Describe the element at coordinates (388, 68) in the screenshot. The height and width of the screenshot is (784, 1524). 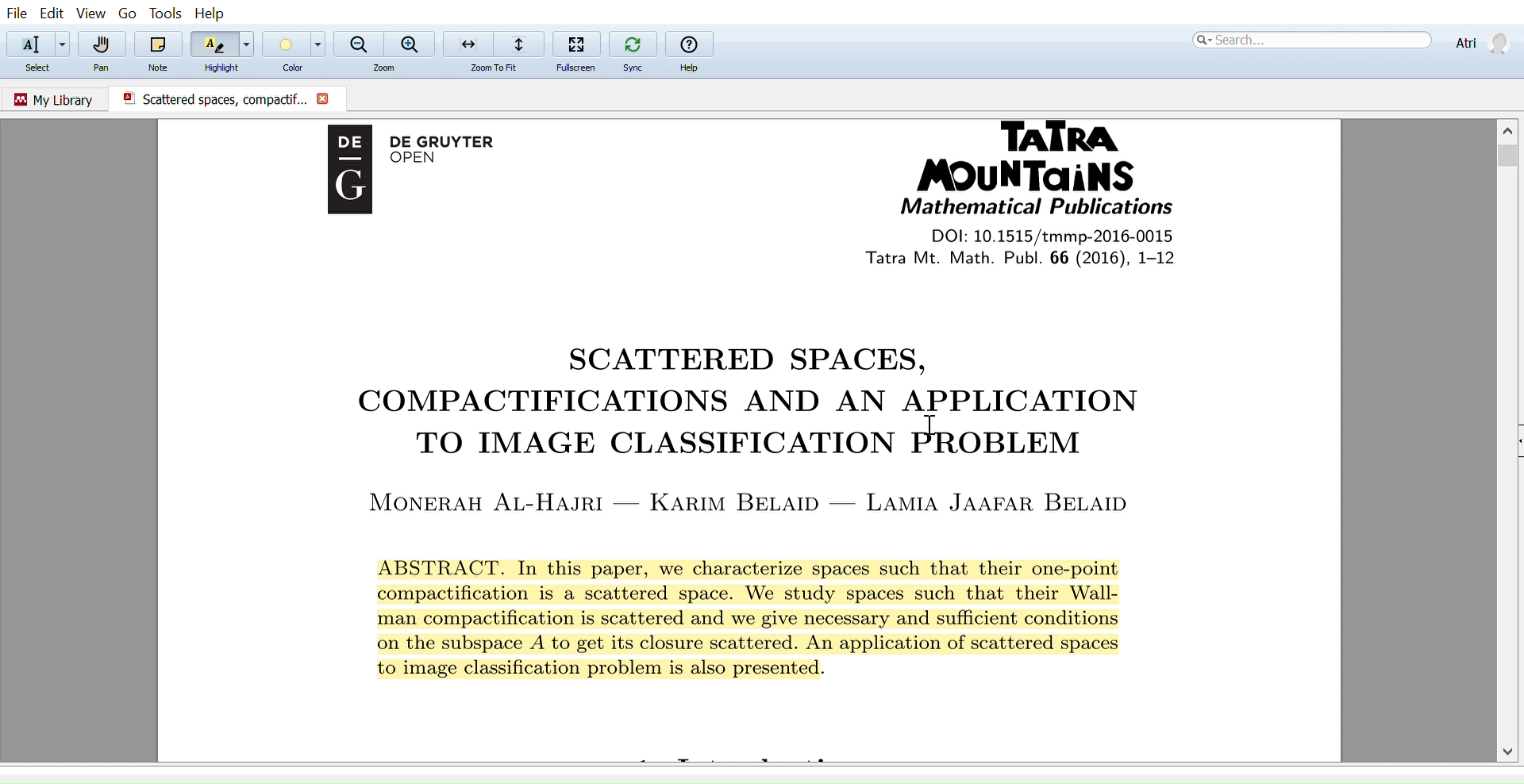
I see `Zoom` at that location.